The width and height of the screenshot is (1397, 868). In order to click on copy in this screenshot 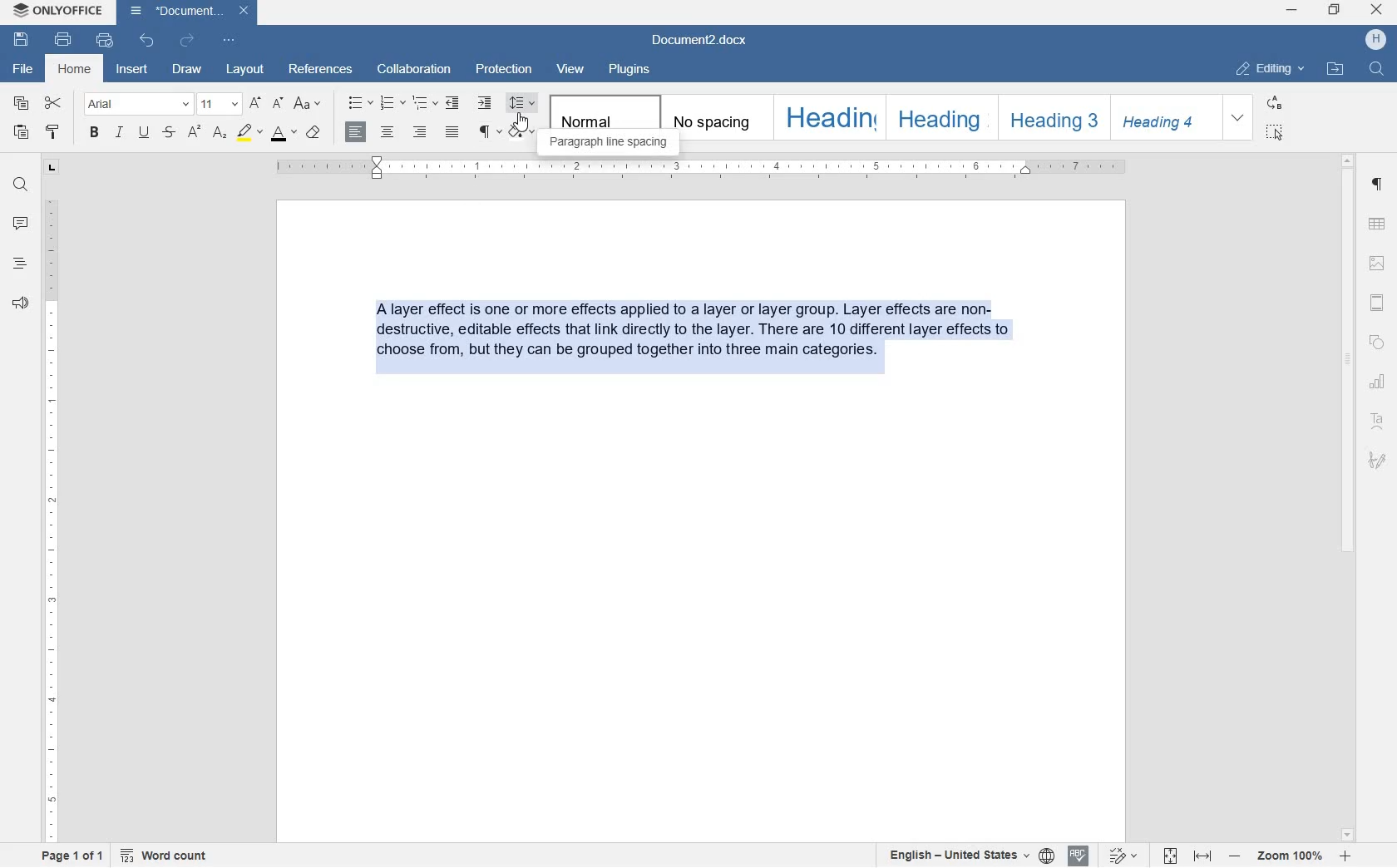, I will do `click(21, 102)`.